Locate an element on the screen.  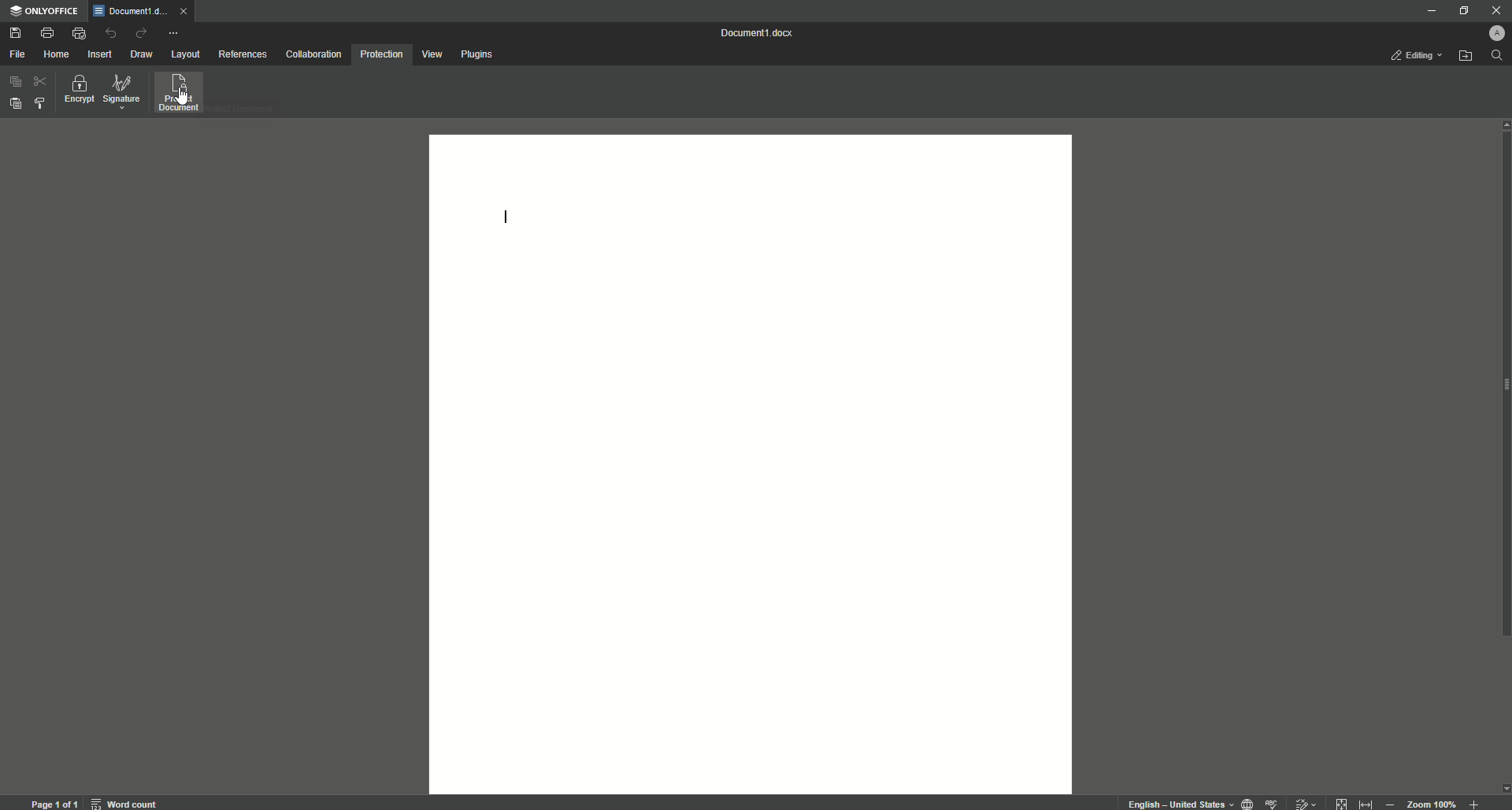
Open file location is located at coordinates (1466, 56).